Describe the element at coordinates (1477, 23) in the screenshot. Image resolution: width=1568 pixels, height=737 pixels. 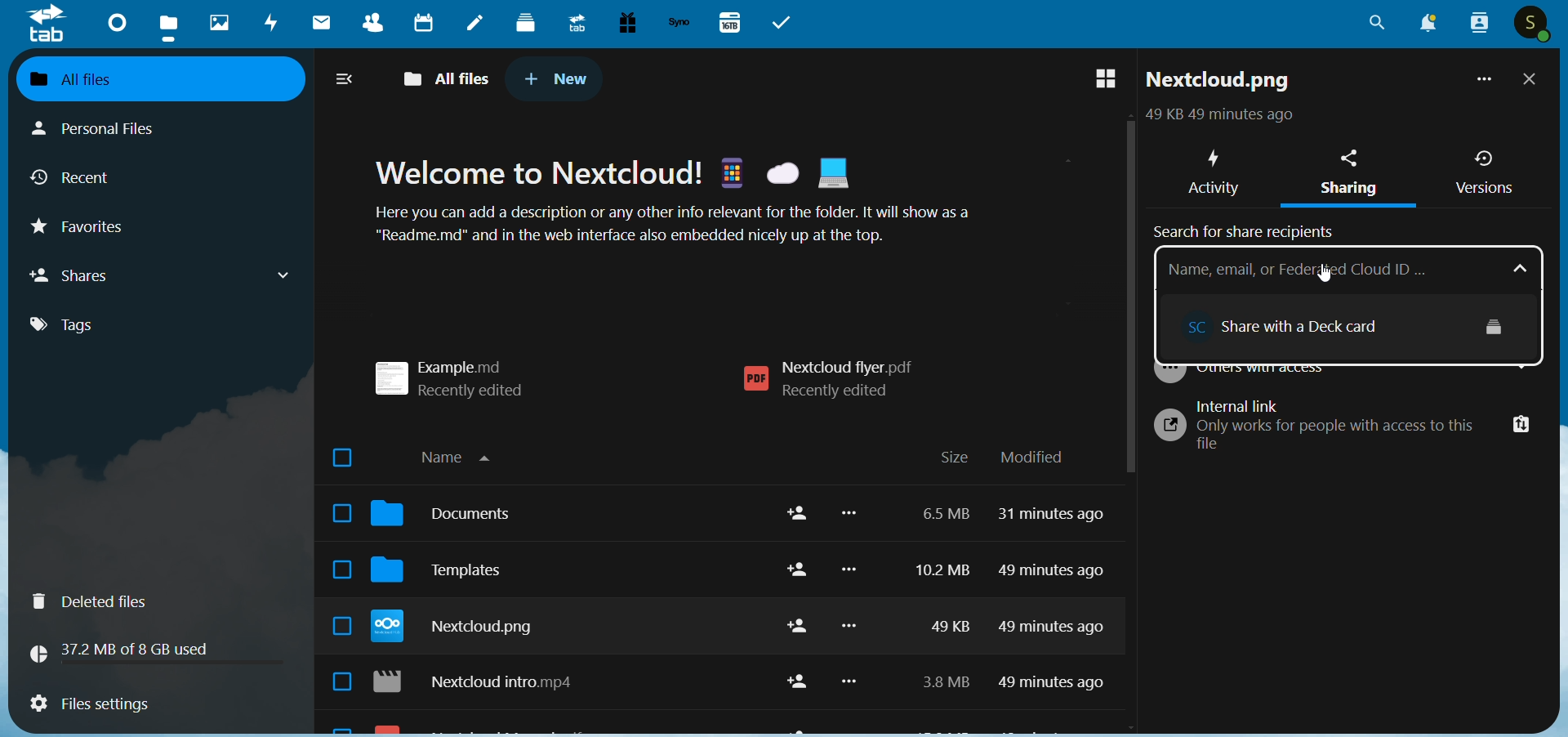
I see `people` at that location.